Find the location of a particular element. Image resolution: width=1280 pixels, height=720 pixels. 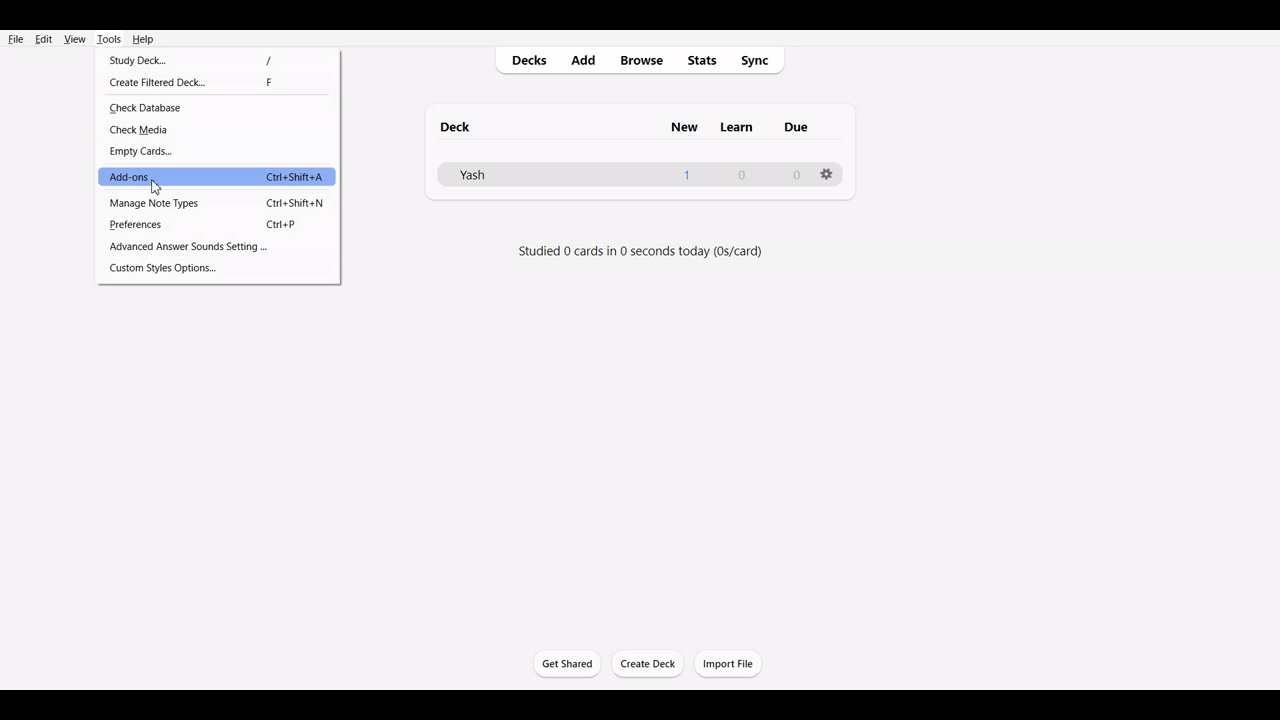

File is located at coordinates (16, 38).